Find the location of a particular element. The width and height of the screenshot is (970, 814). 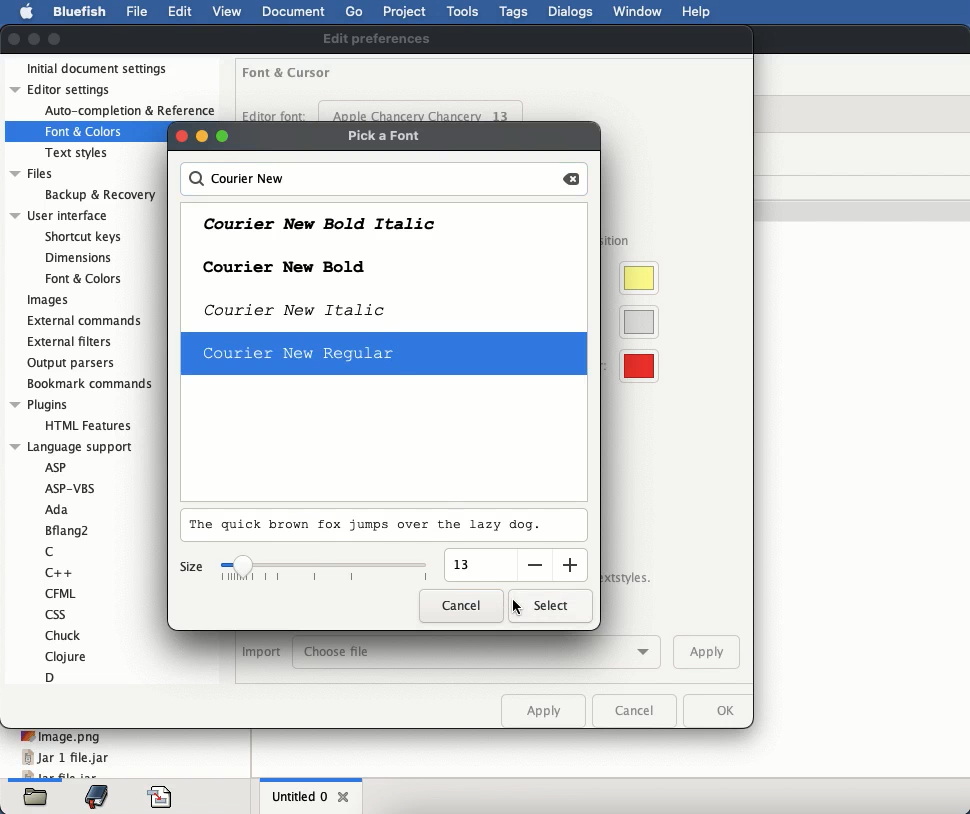

search is located at coordinates (195, 177).